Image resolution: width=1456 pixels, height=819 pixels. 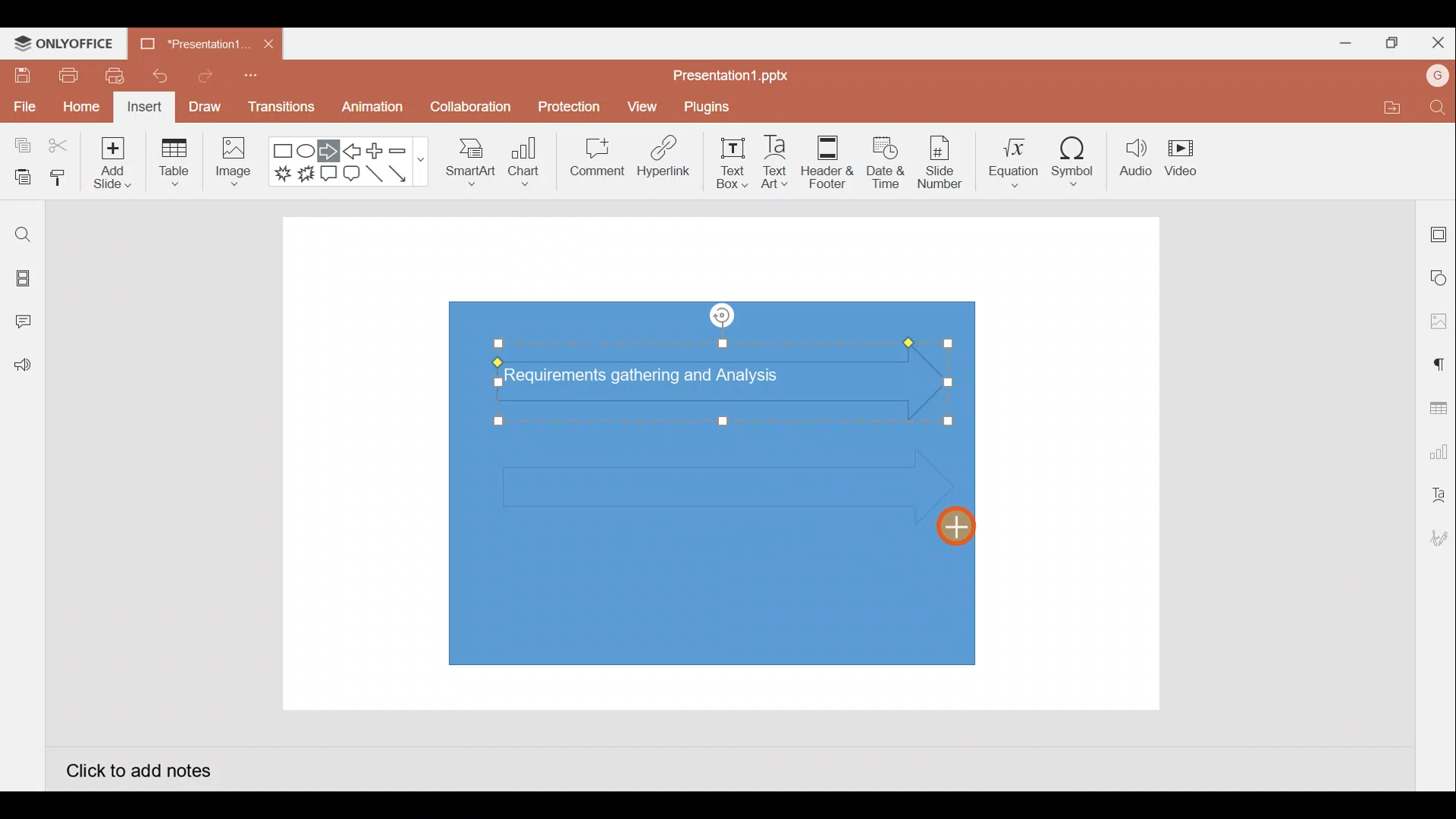 I want to click on File, so click(x=23, y=104).